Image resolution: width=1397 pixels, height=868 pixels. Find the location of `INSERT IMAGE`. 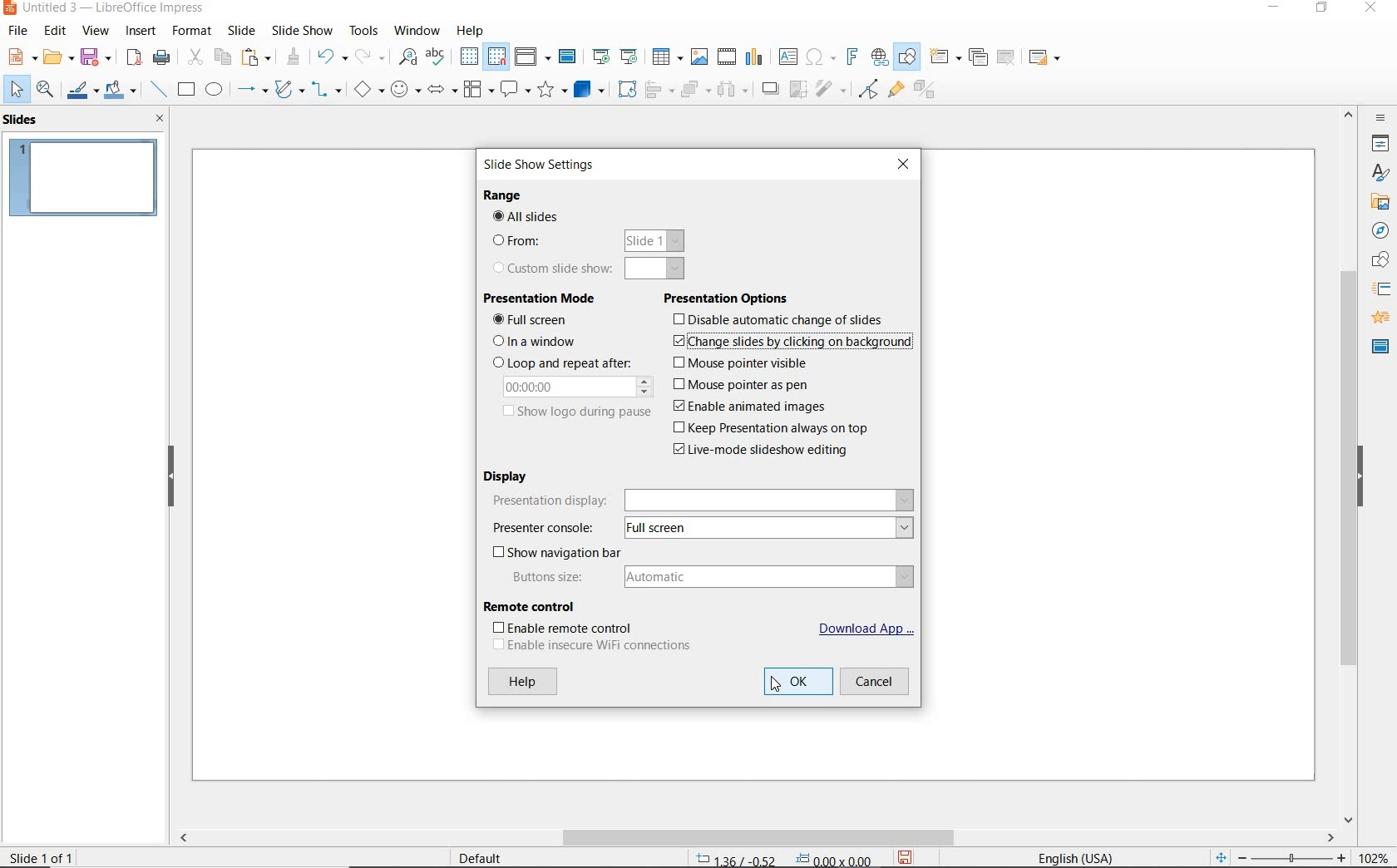

INSERT IMAGE is located at coordinates (695, 57).